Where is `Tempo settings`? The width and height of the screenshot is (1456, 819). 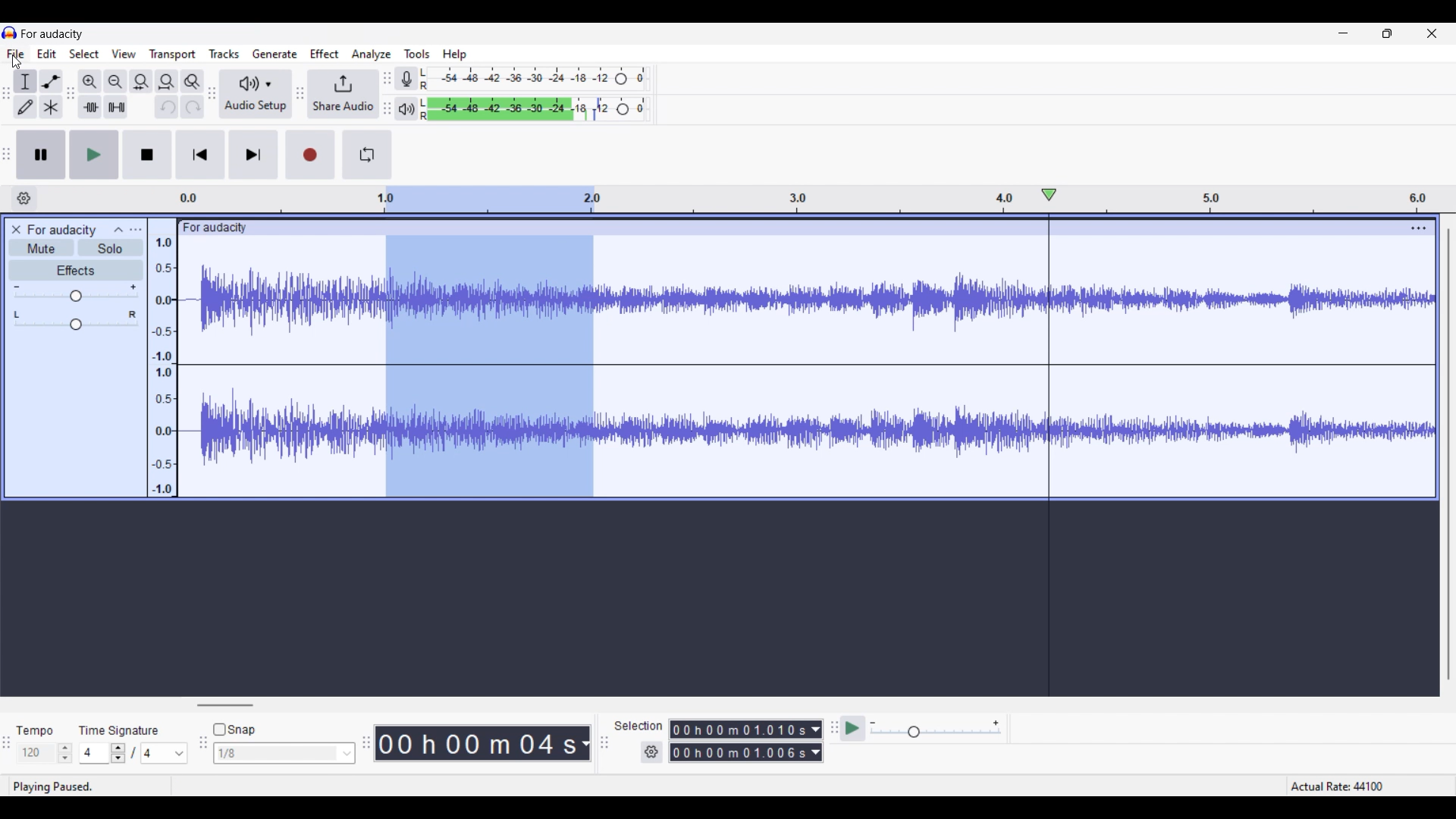
Tempo settings is located at coordinates (45, 753).